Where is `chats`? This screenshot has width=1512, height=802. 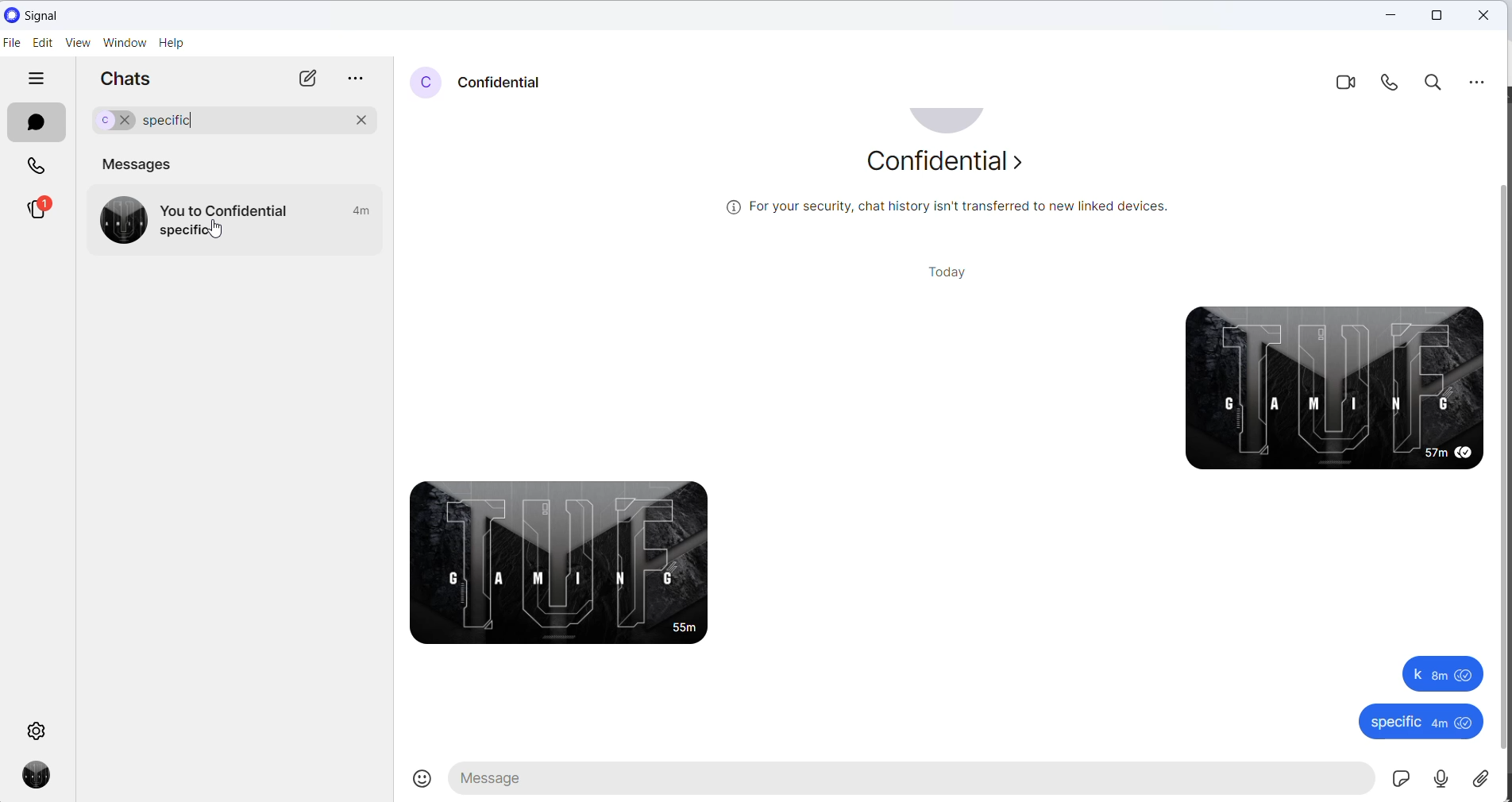
chats is located at coordinates (36, 122).